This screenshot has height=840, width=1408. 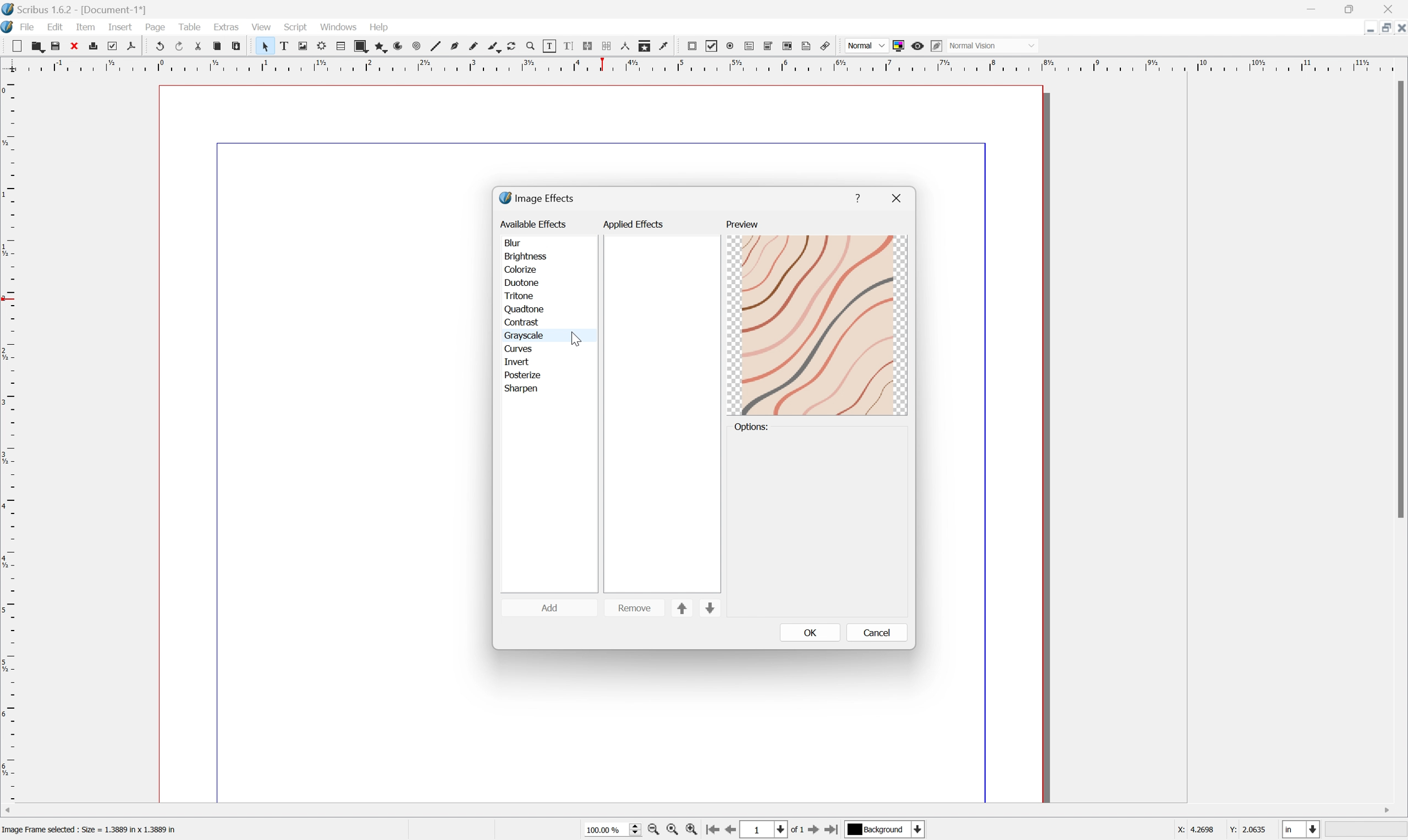 I want to click on Restore down, so click(x=1381, y=29).